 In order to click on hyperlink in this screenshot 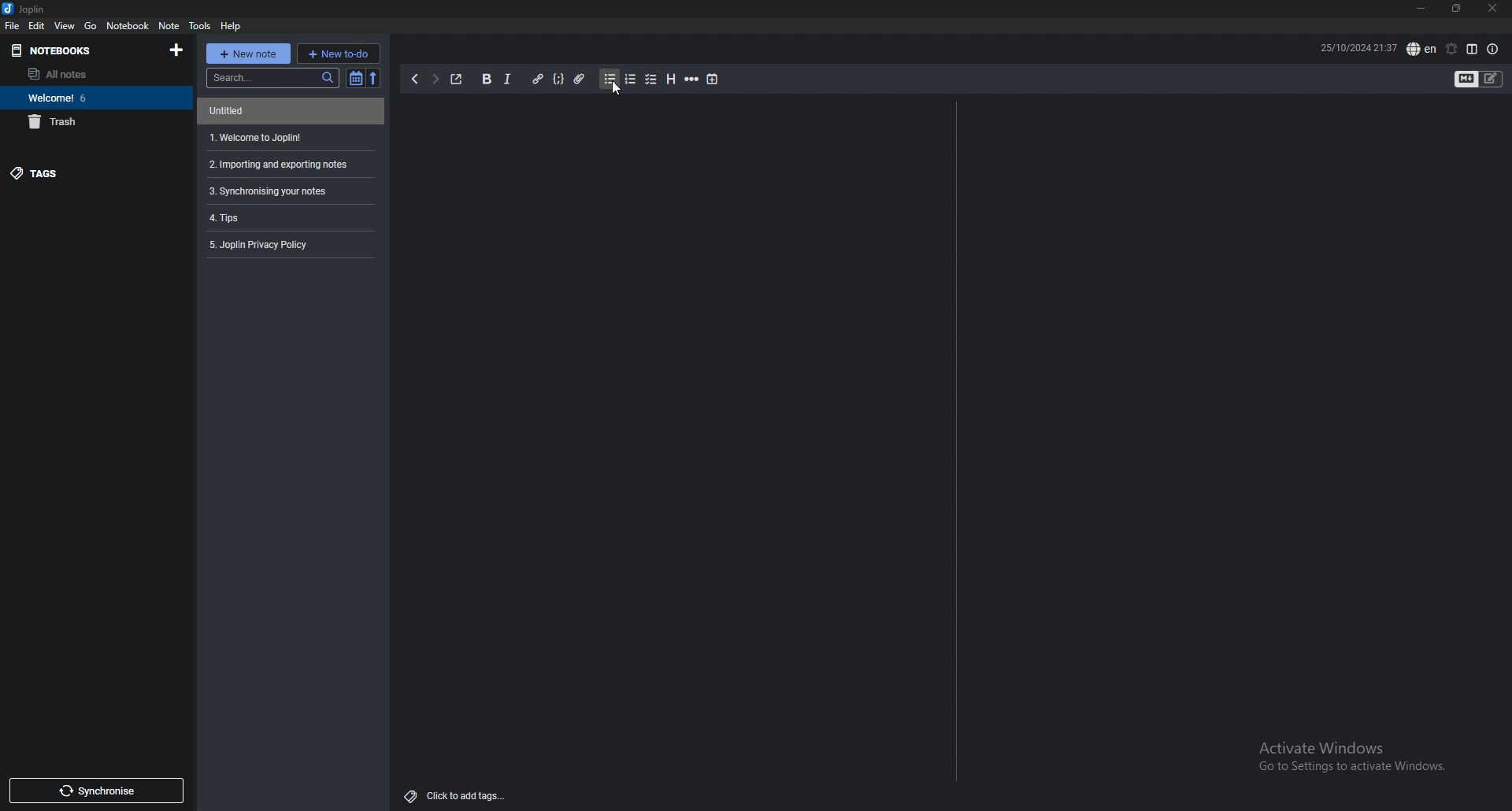, I will do `click(535, 79)`.